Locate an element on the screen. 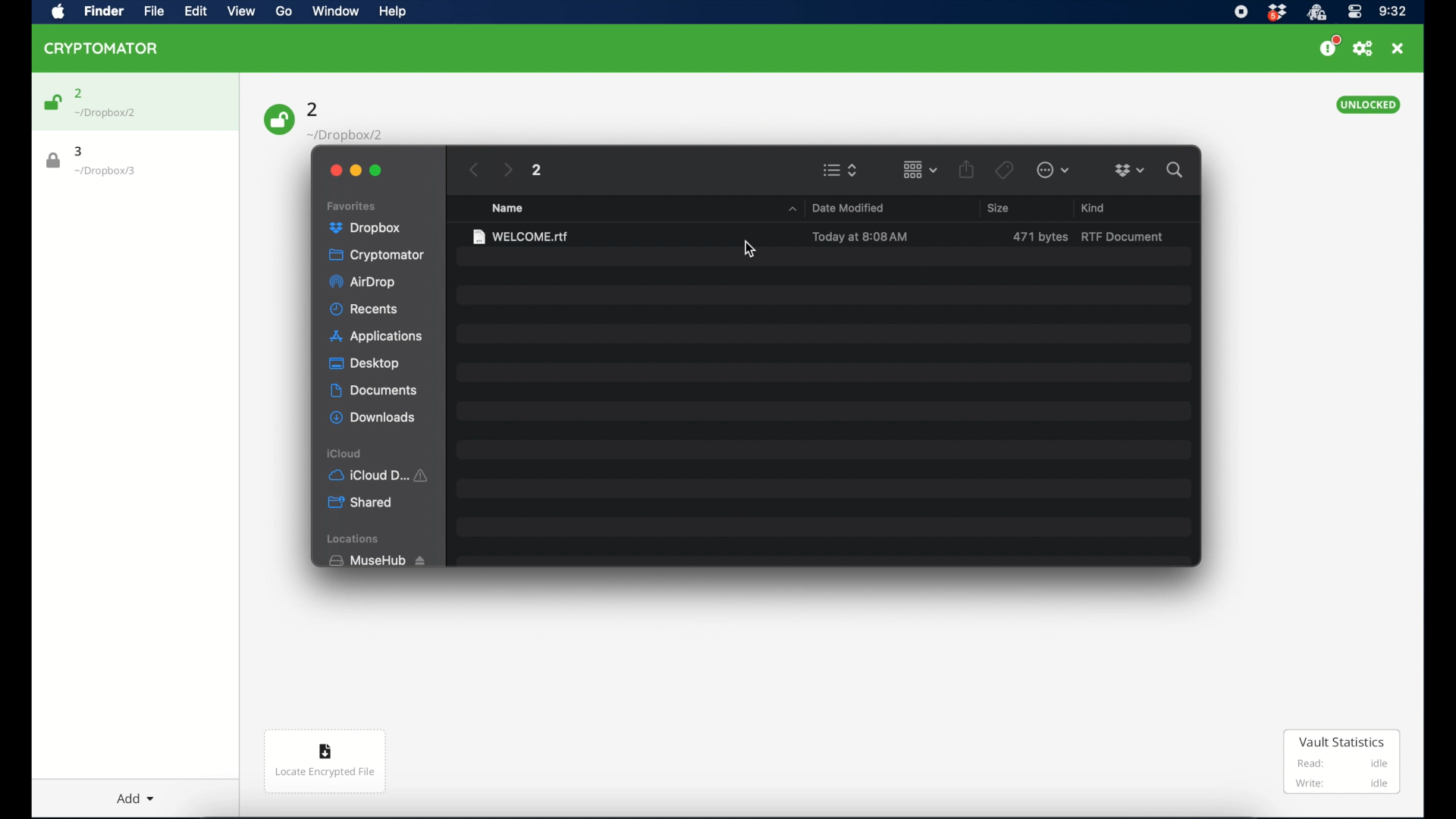 The image size is (1456, 819). control center is located at coordinates (1355, 12).